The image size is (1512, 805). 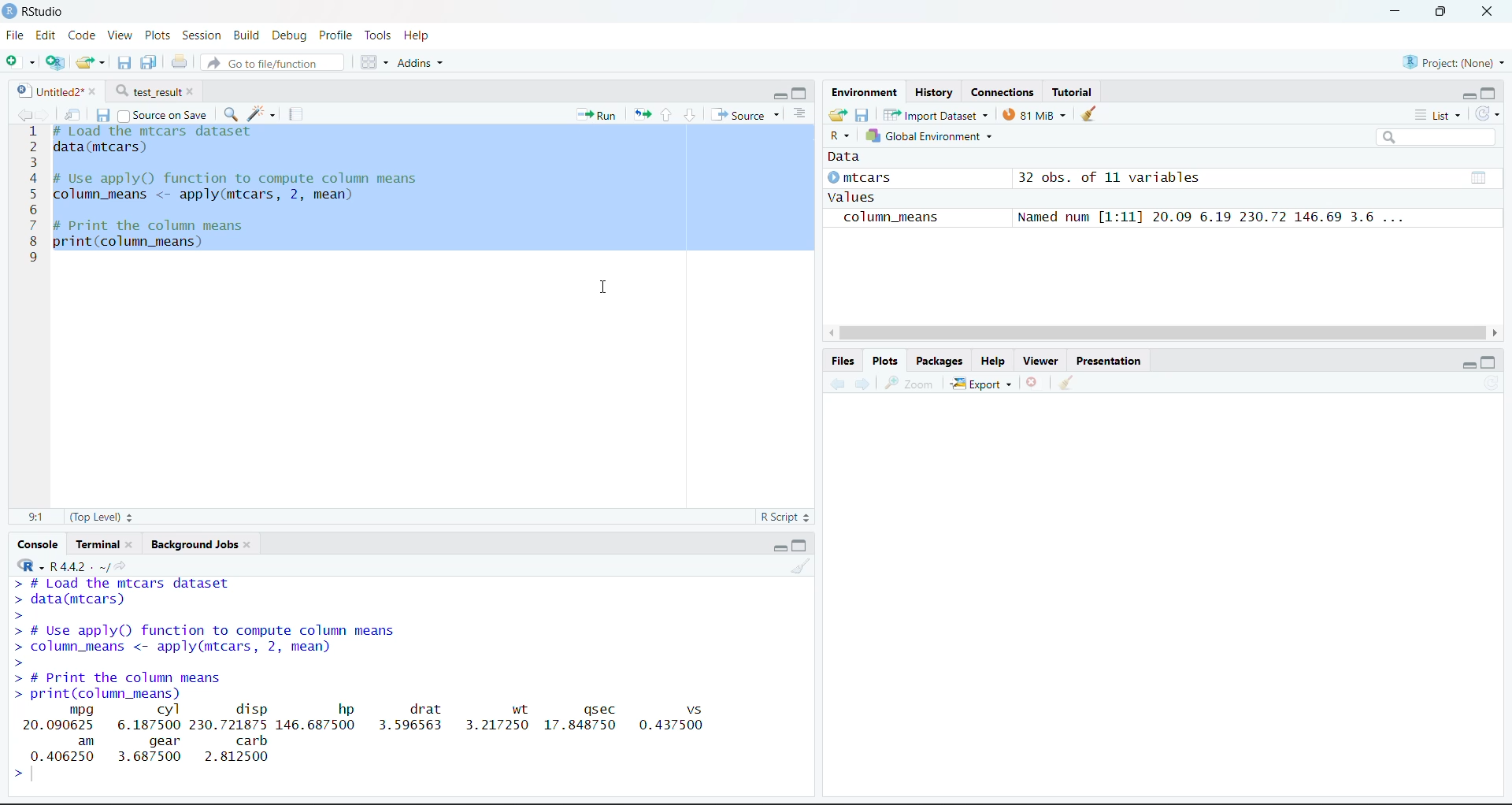 I want to click on - # Load the mtcars dataset

- data(mtcars)

- # Use apply) function to compute column means

- column_means <- apply(mtcars, 2, mean)

- # Print the column means

- print (column_means)
mpg cyl disp hp drat wt gsec vs

20.090625 6.187500 230.721875 146.687500 3.596563 3.217250 17.848750 0.437500
am gear carb

0.406250 3.687500 2.812500, so click(x=372, y=672).